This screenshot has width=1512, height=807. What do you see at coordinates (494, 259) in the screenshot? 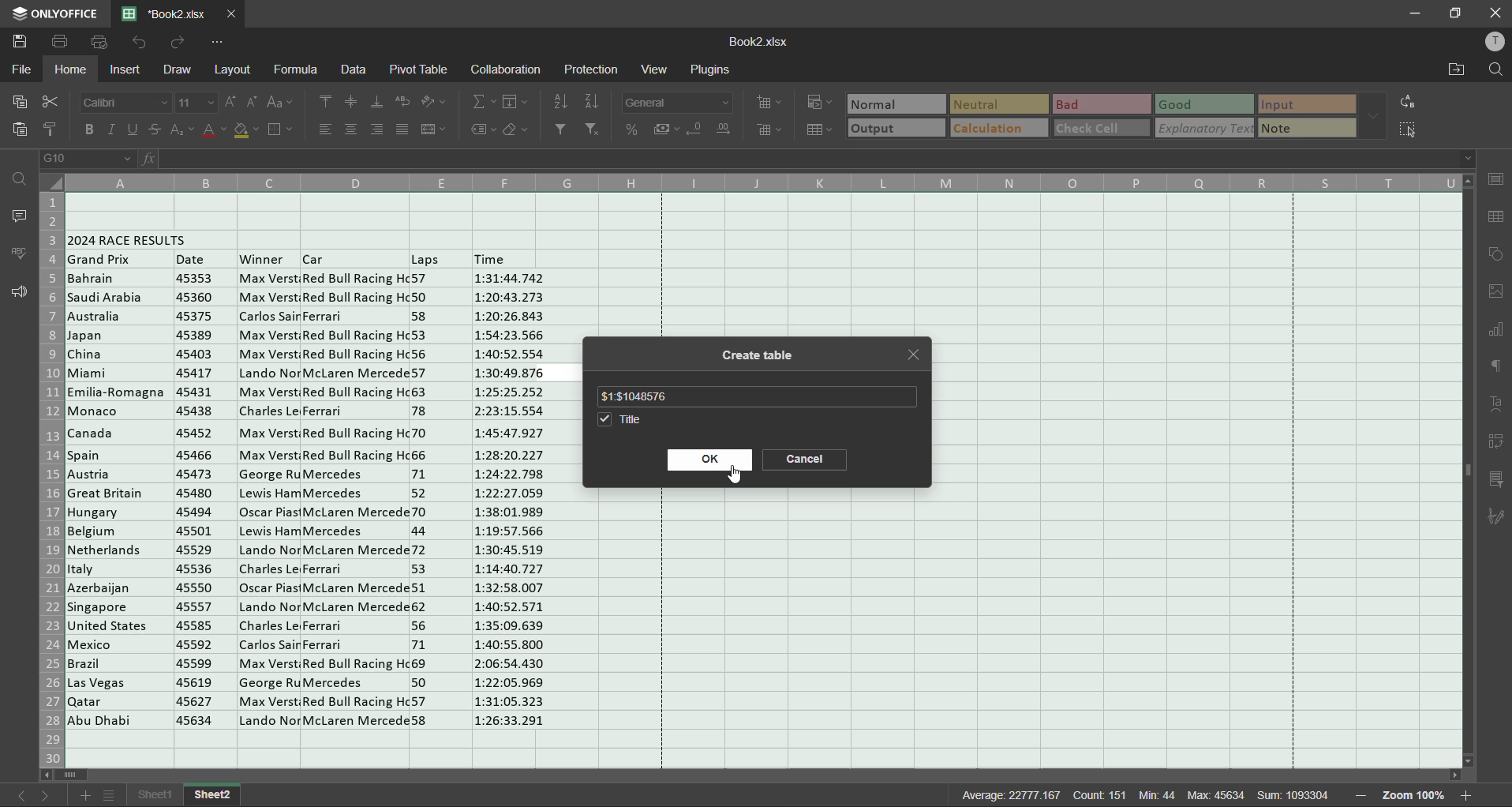
I see `time` at bounding box center [494, 259].